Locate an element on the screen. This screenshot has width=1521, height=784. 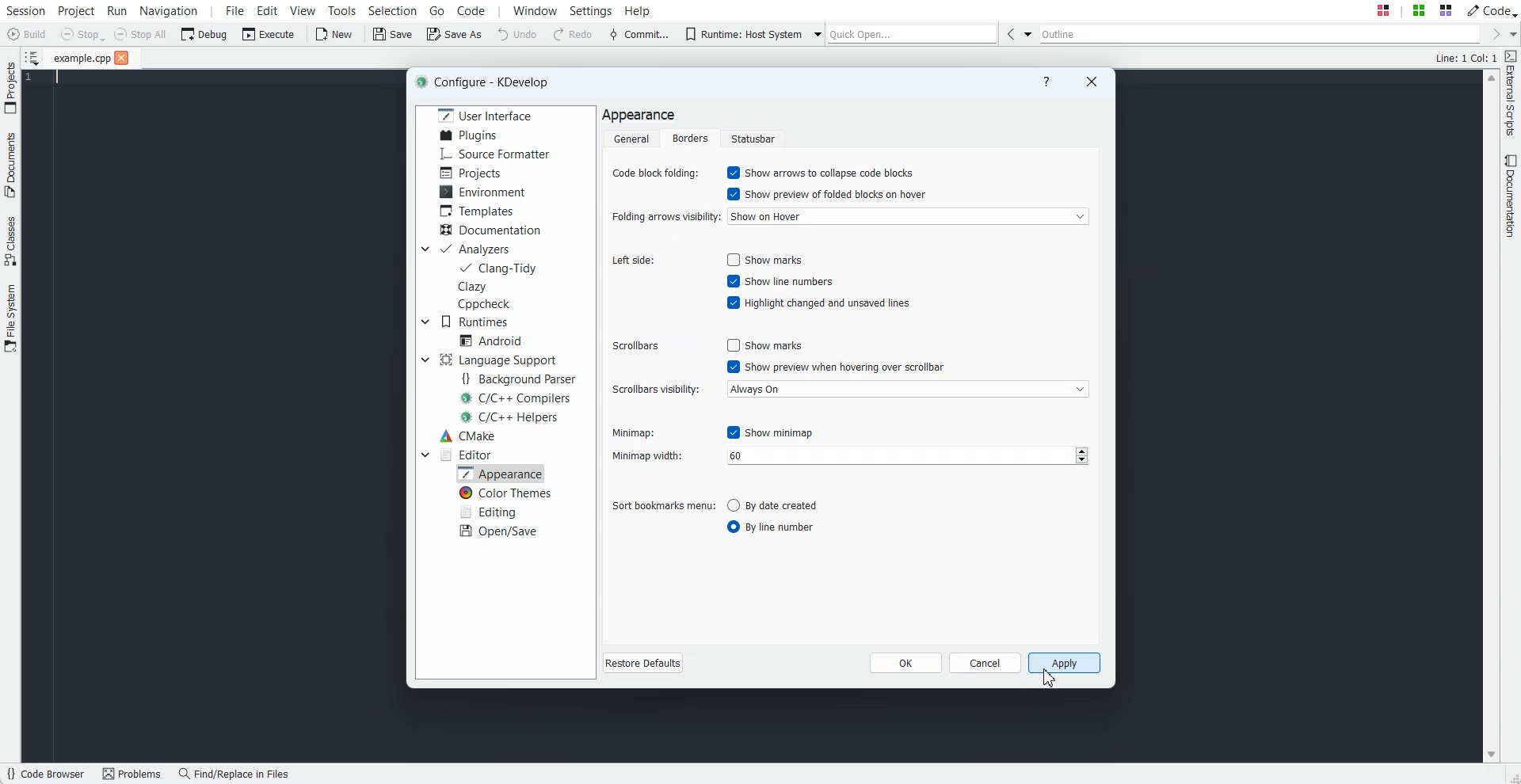
Language Support is located at coordinates (497, 359).